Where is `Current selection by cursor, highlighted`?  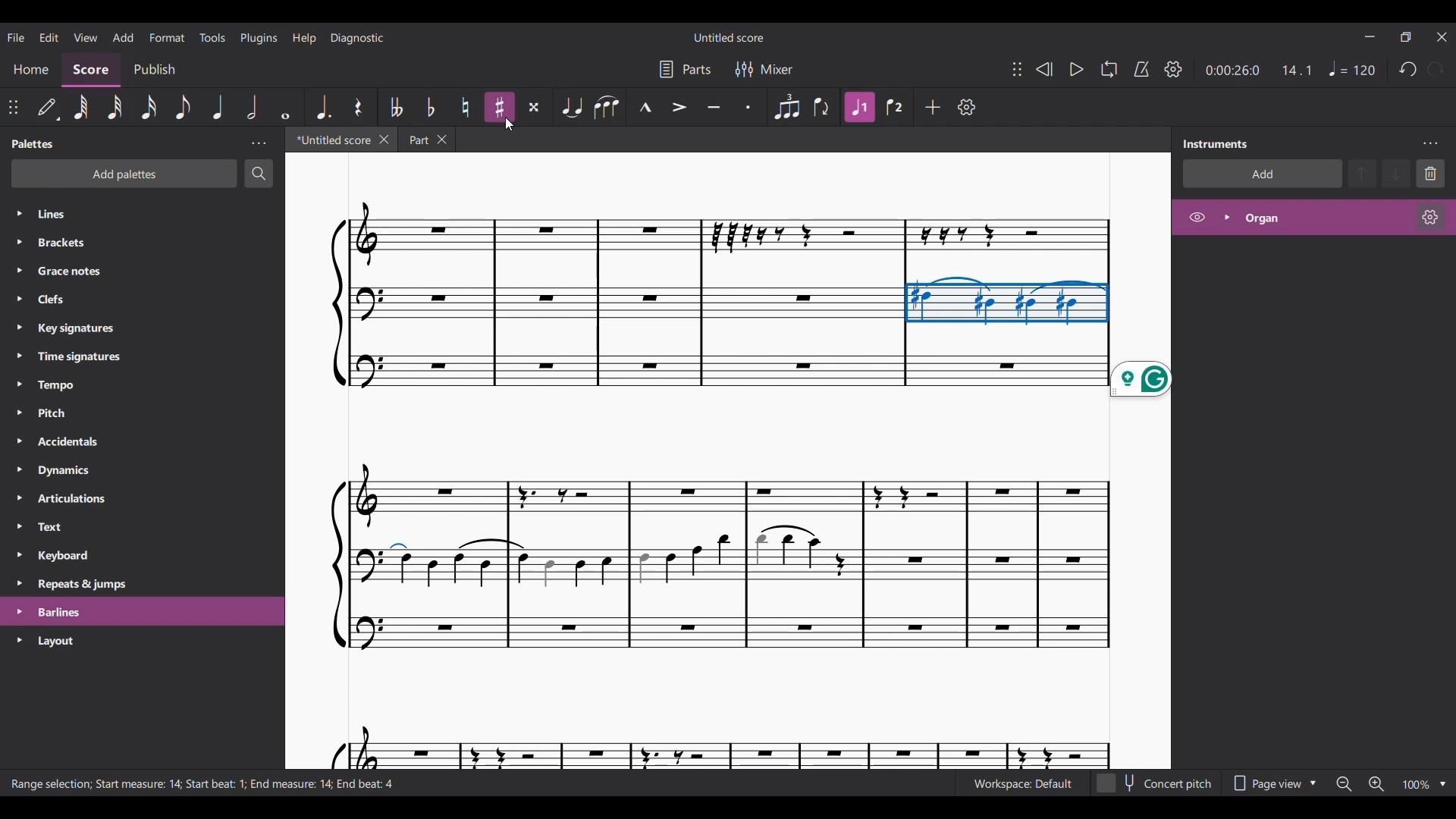
Current selection by cursor, highlighted is located at coordinates (498, 108).